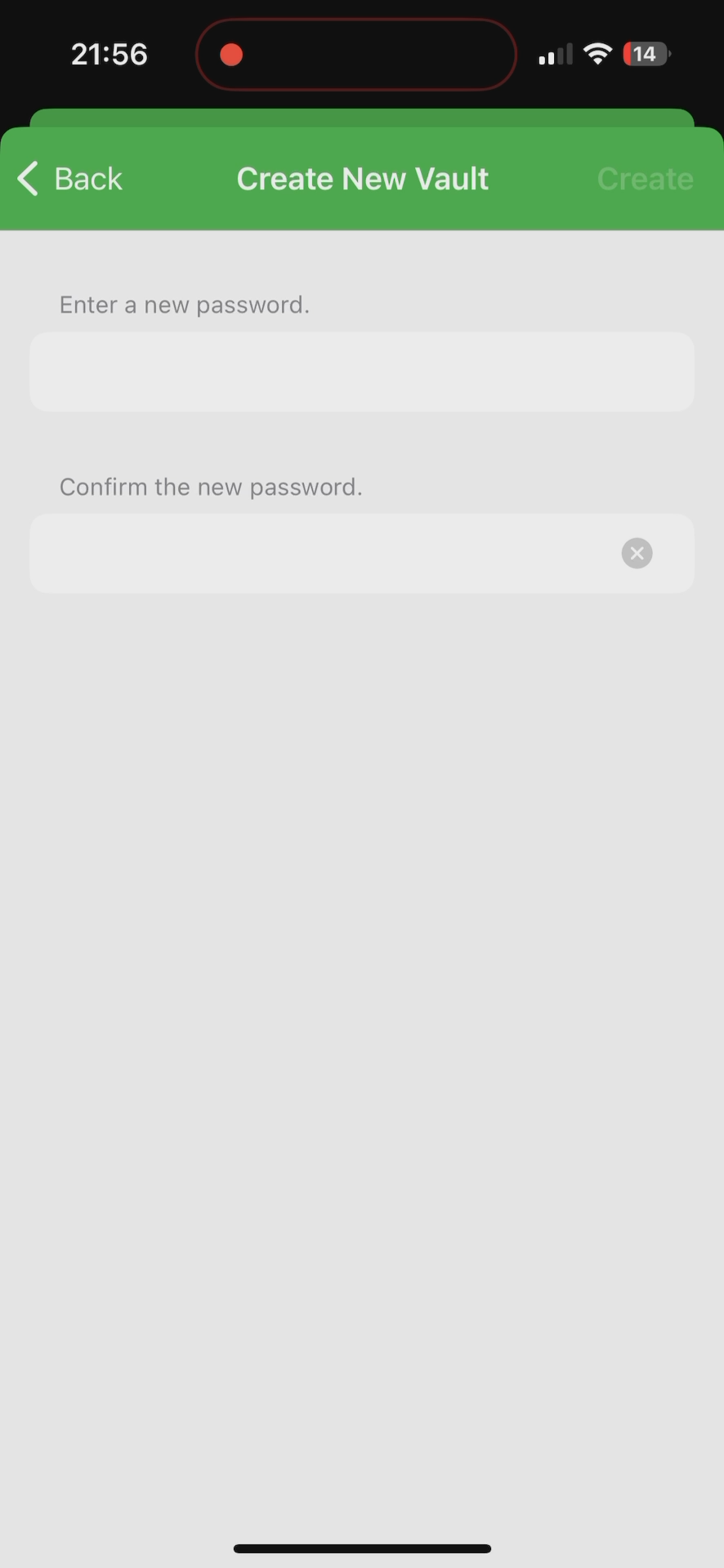 The width and height of the screenshot is (724, 1568). I want to click on enter a new password, so click(184, 299).